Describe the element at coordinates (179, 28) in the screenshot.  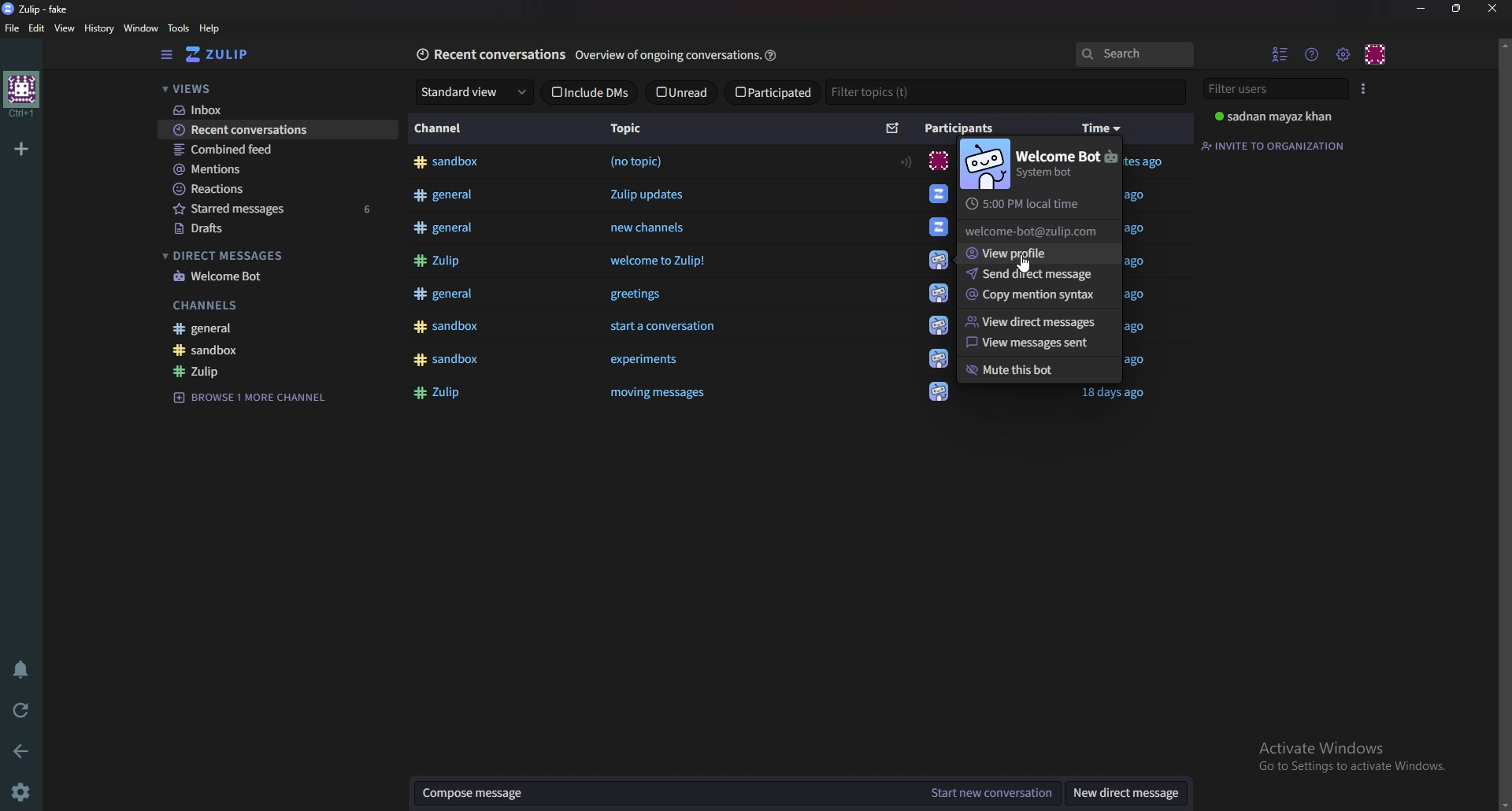
I see `Tools` at that location.